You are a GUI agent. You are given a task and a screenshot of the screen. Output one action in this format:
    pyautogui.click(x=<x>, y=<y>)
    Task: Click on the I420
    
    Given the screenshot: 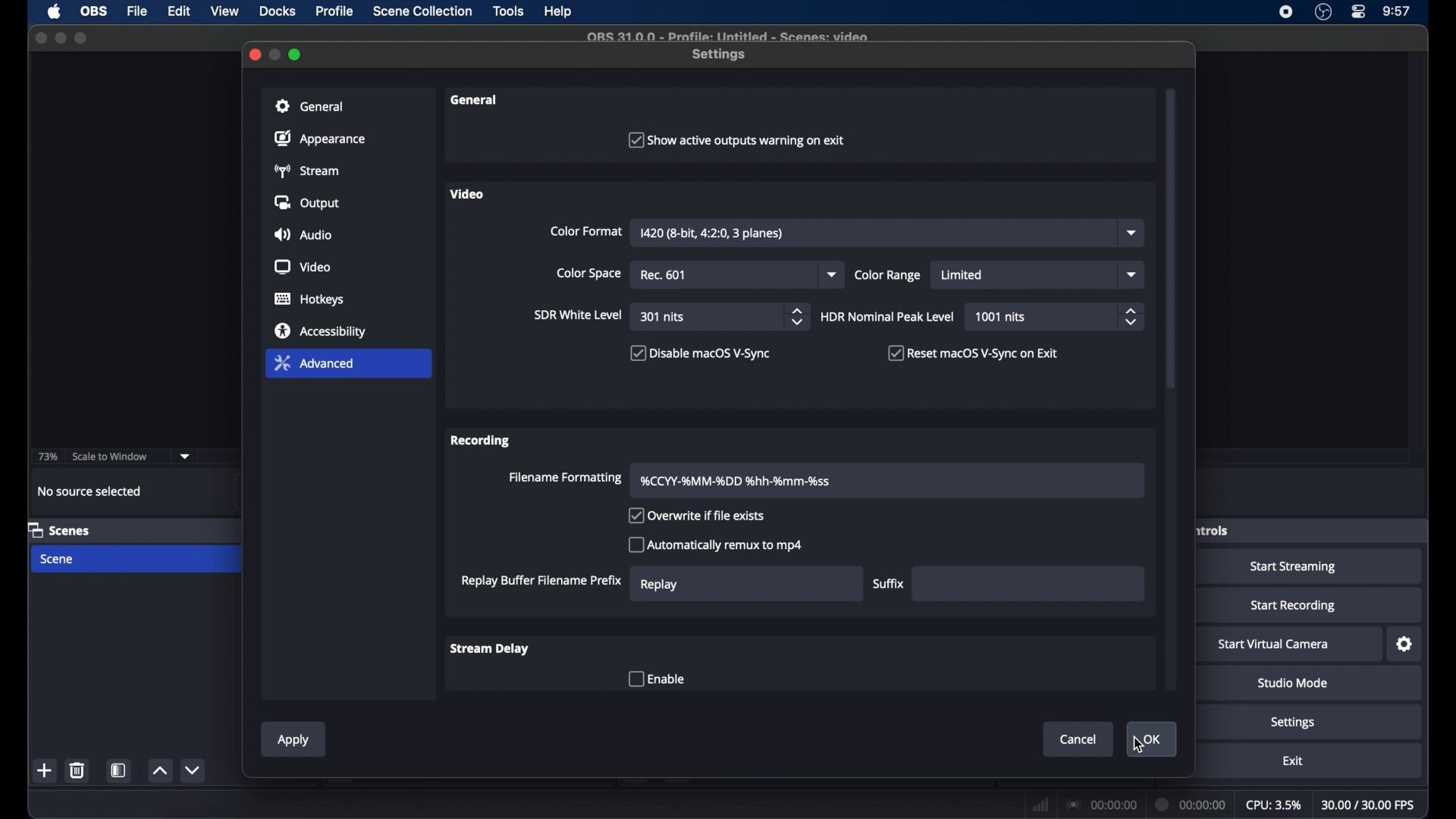 What is the action you would take?
    pyautogui.click(x=711, y=234)
    